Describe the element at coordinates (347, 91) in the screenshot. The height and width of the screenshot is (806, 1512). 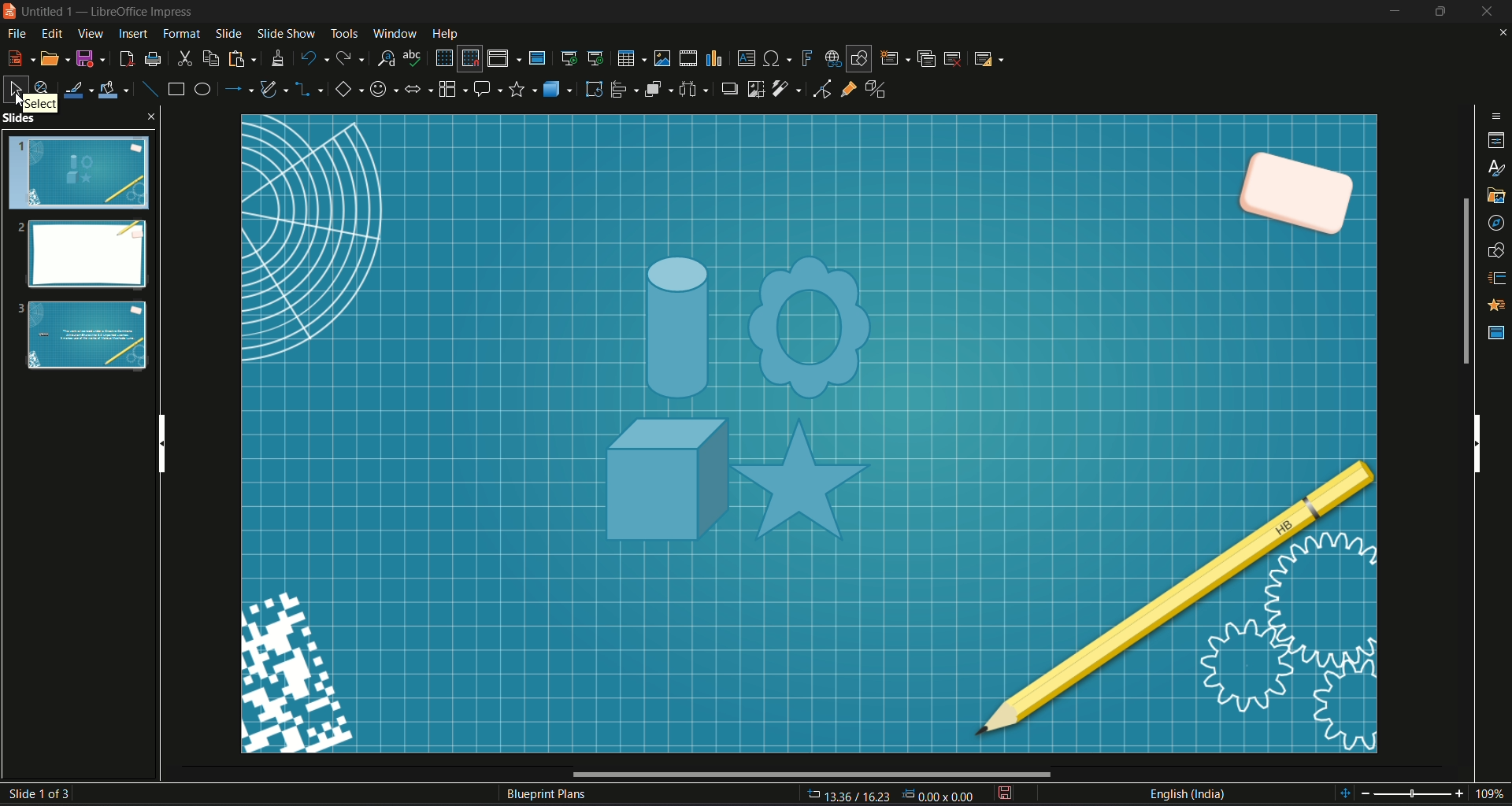
I see `basic shape` at that location.